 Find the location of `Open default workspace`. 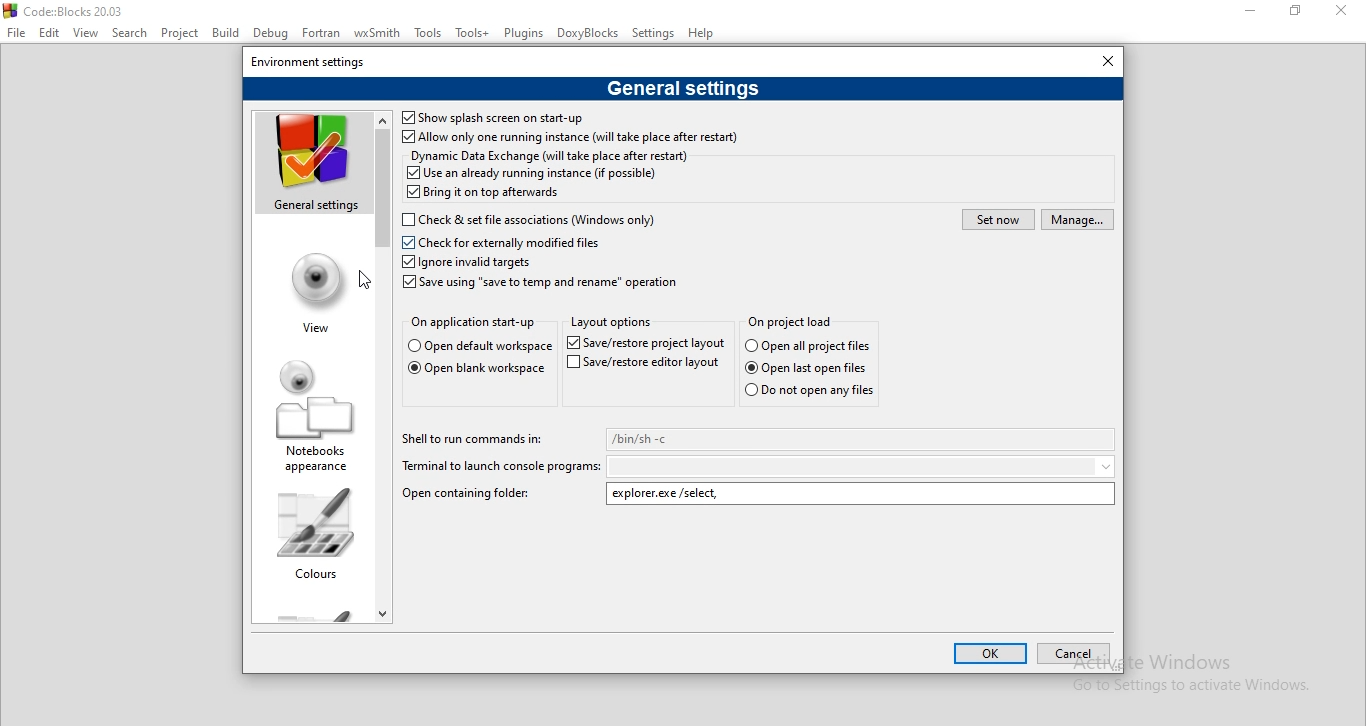

Open default workspace is located at coordinates (481, 348).